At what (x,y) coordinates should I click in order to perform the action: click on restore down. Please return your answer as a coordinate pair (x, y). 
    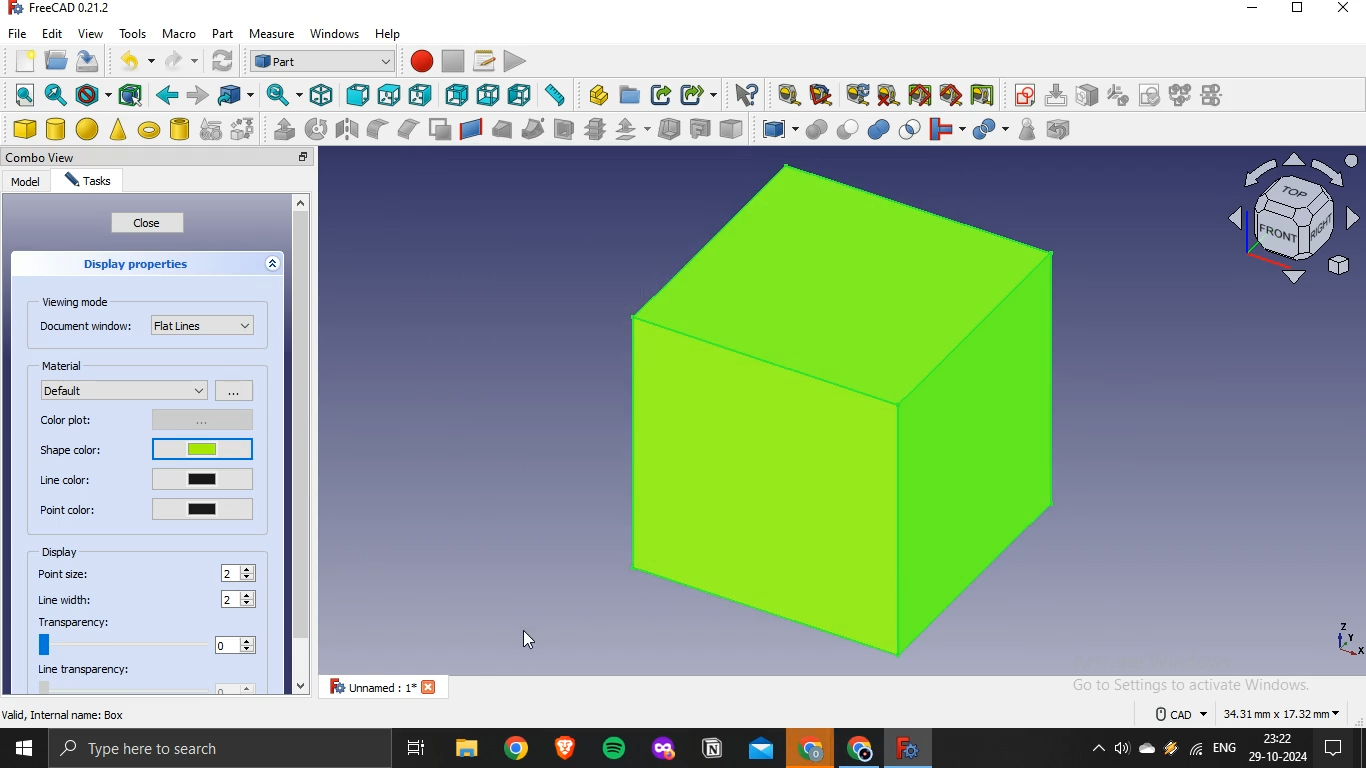
    Looking at the image, I should click on (1297, 10).